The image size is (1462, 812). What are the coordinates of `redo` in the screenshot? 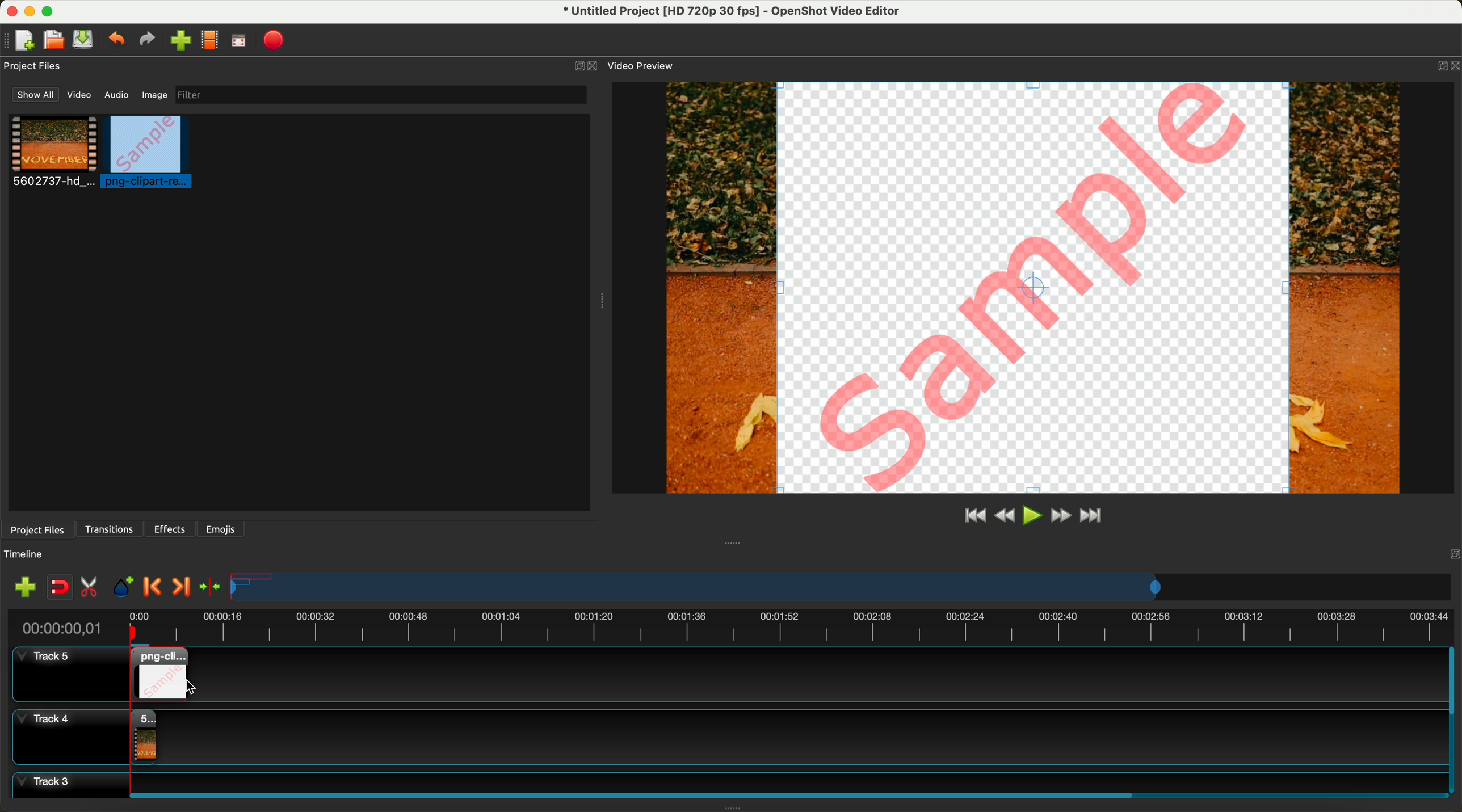 It's located at (150, 41).